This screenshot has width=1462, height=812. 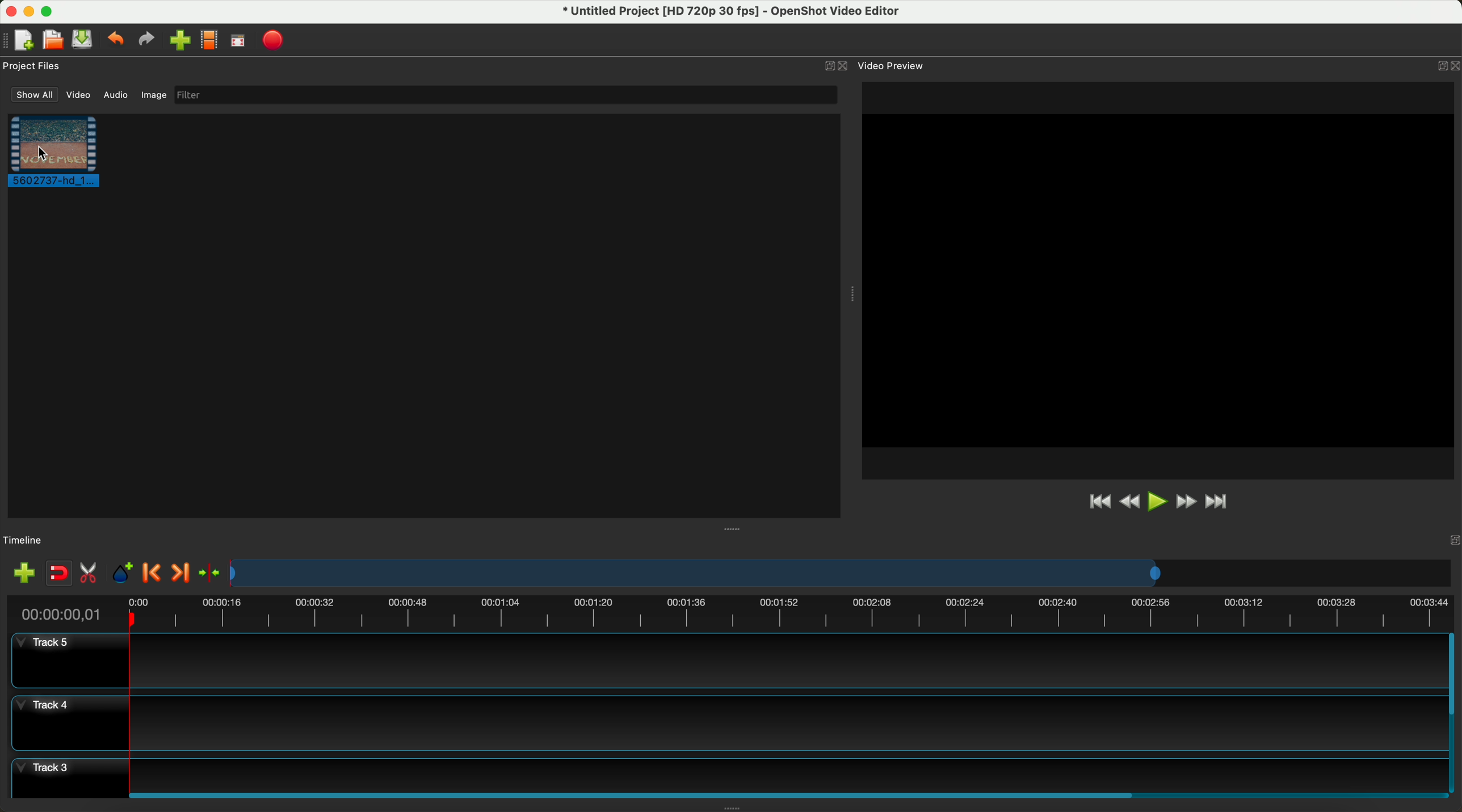 I want to click on track 3, so click(x=725, y=771).